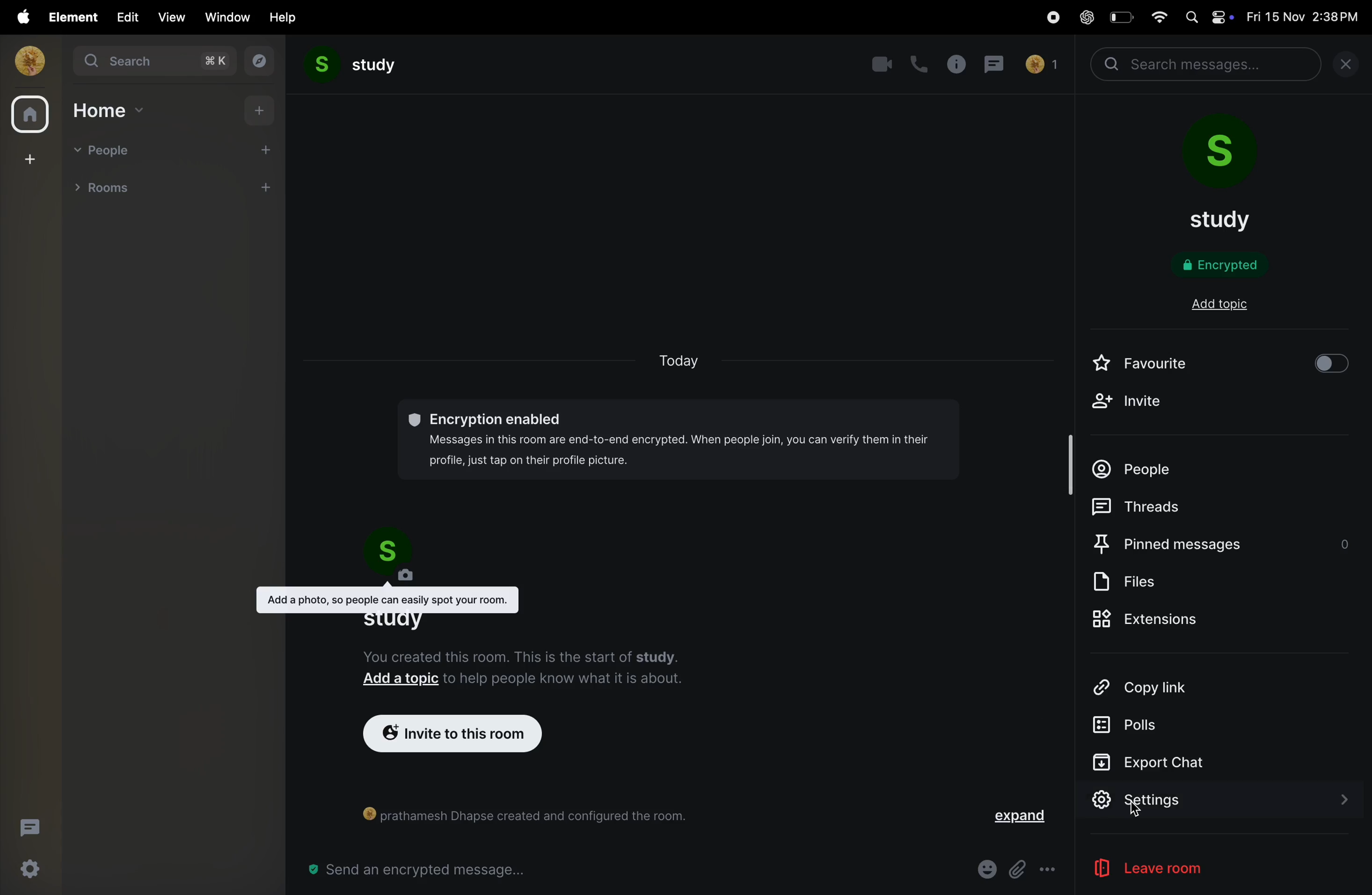  Describe the element at coordinates (70, 16) in the screenshot. I see `element menu` at that location.